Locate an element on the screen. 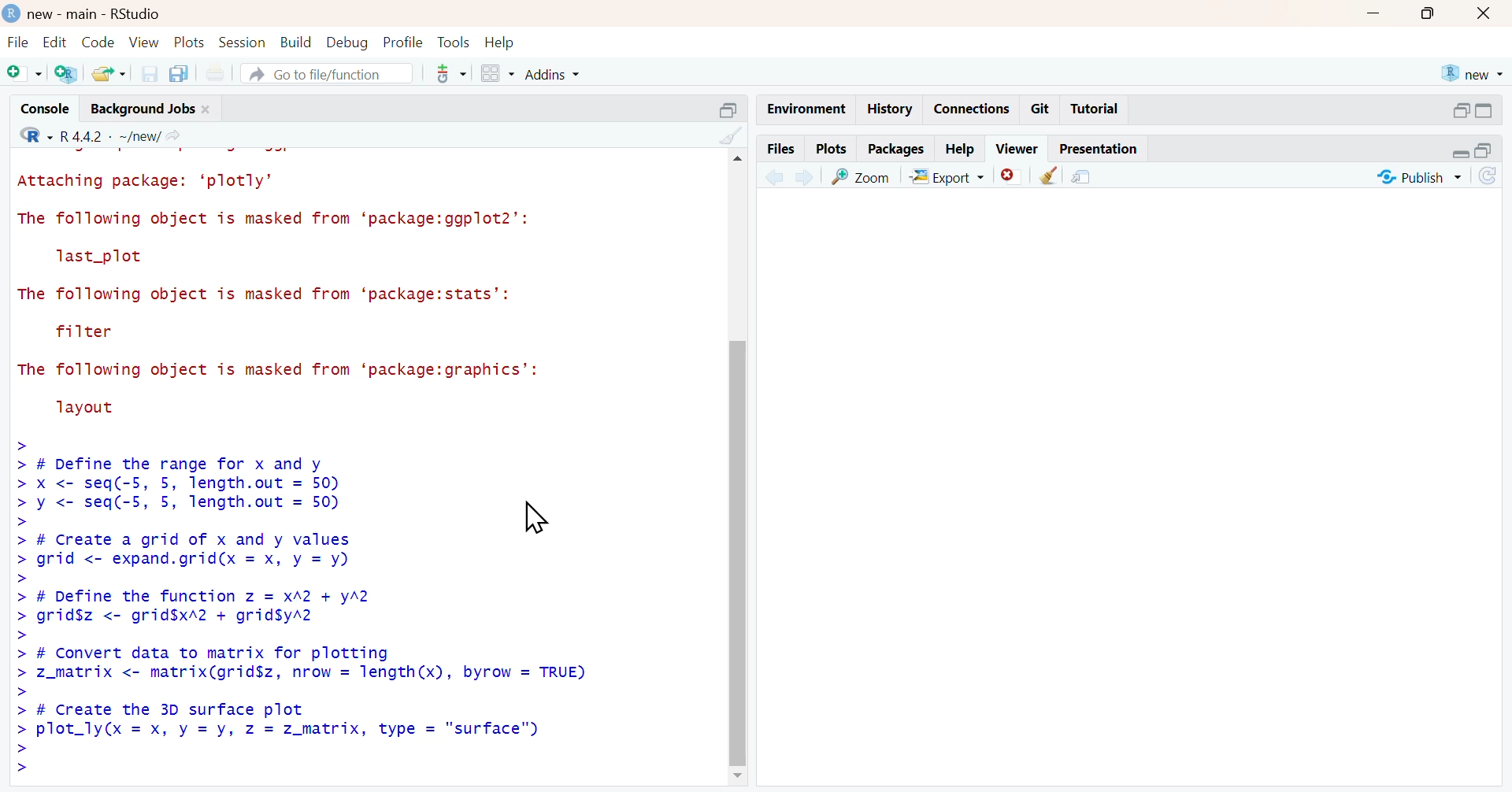 Image resolution: width=1512 pixels, height=792 pixels. create a project is located at coordinates (66, 75).